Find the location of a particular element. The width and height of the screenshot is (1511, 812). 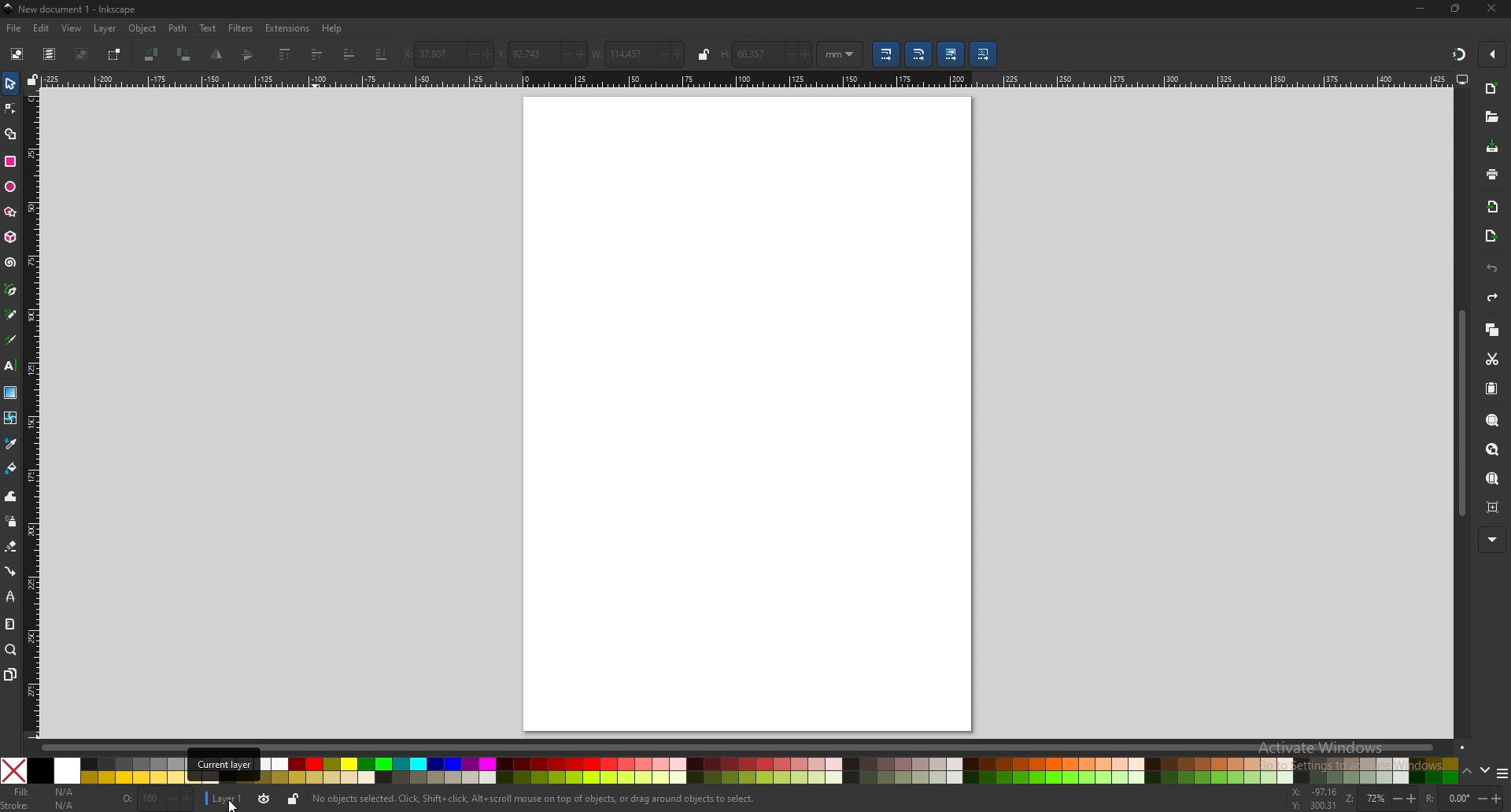

increase is located at coordinates (486, 54).